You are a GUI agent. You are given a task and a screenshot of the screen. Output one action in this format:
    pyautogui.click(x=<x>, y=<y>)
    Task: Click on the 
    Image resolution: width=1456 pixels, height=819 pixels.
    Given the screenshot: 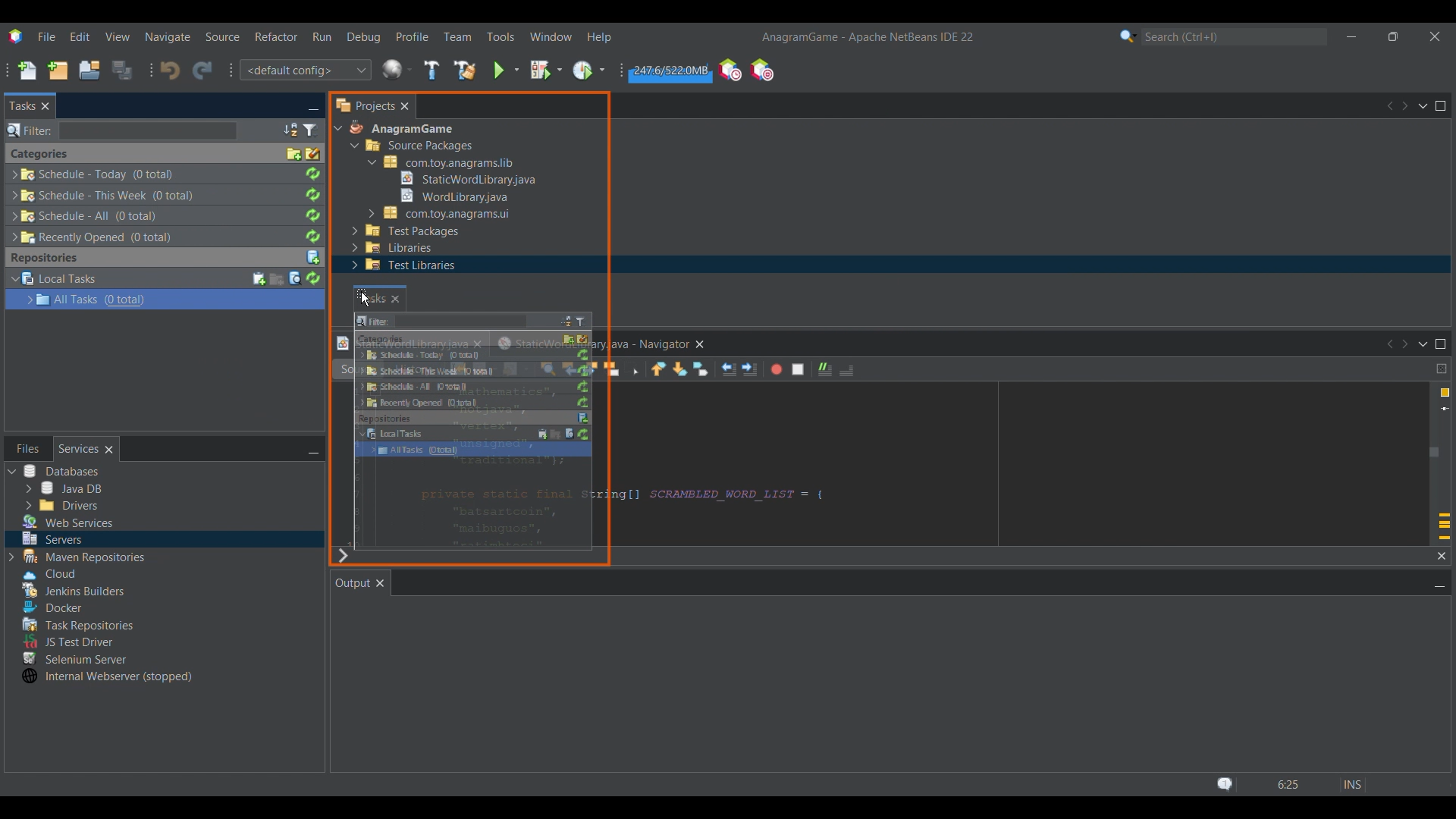 What is the action you would take?
    pyautogui.click(x=76, y=657)
    